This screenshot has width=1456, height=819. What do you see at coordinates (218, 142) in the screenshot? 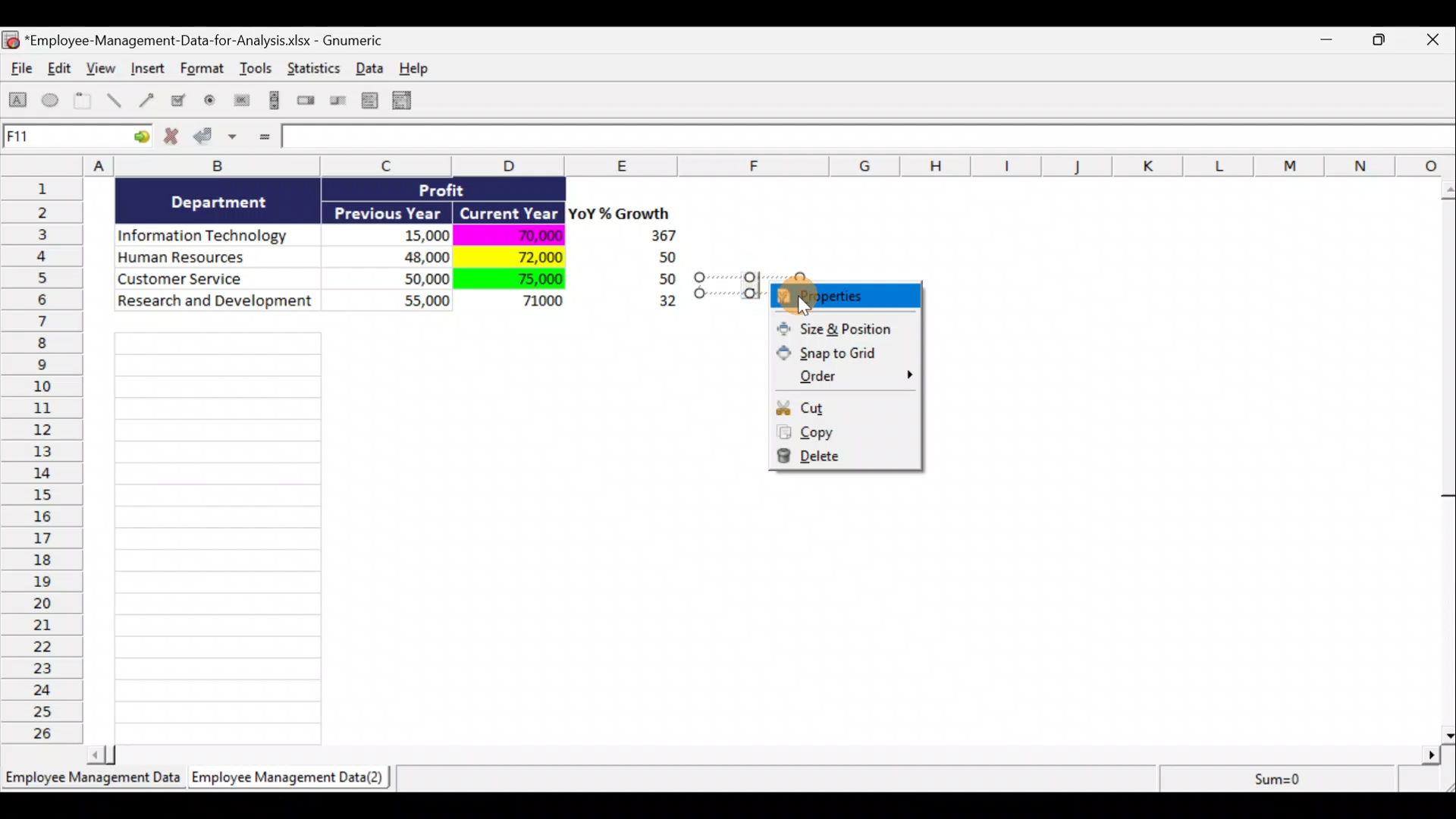
I see `Accept changes` at bounding box center [218, 142].